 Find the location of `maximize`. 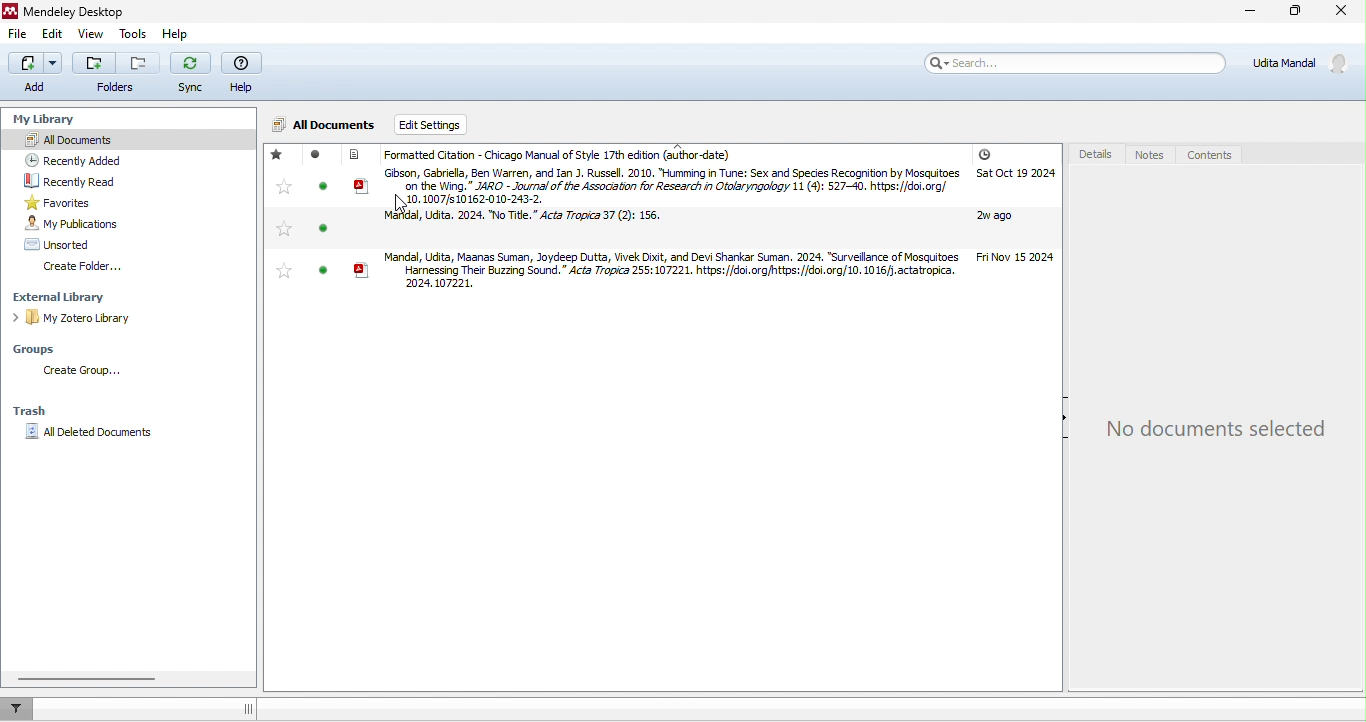

maximize is located at coordinates (1295, 14).